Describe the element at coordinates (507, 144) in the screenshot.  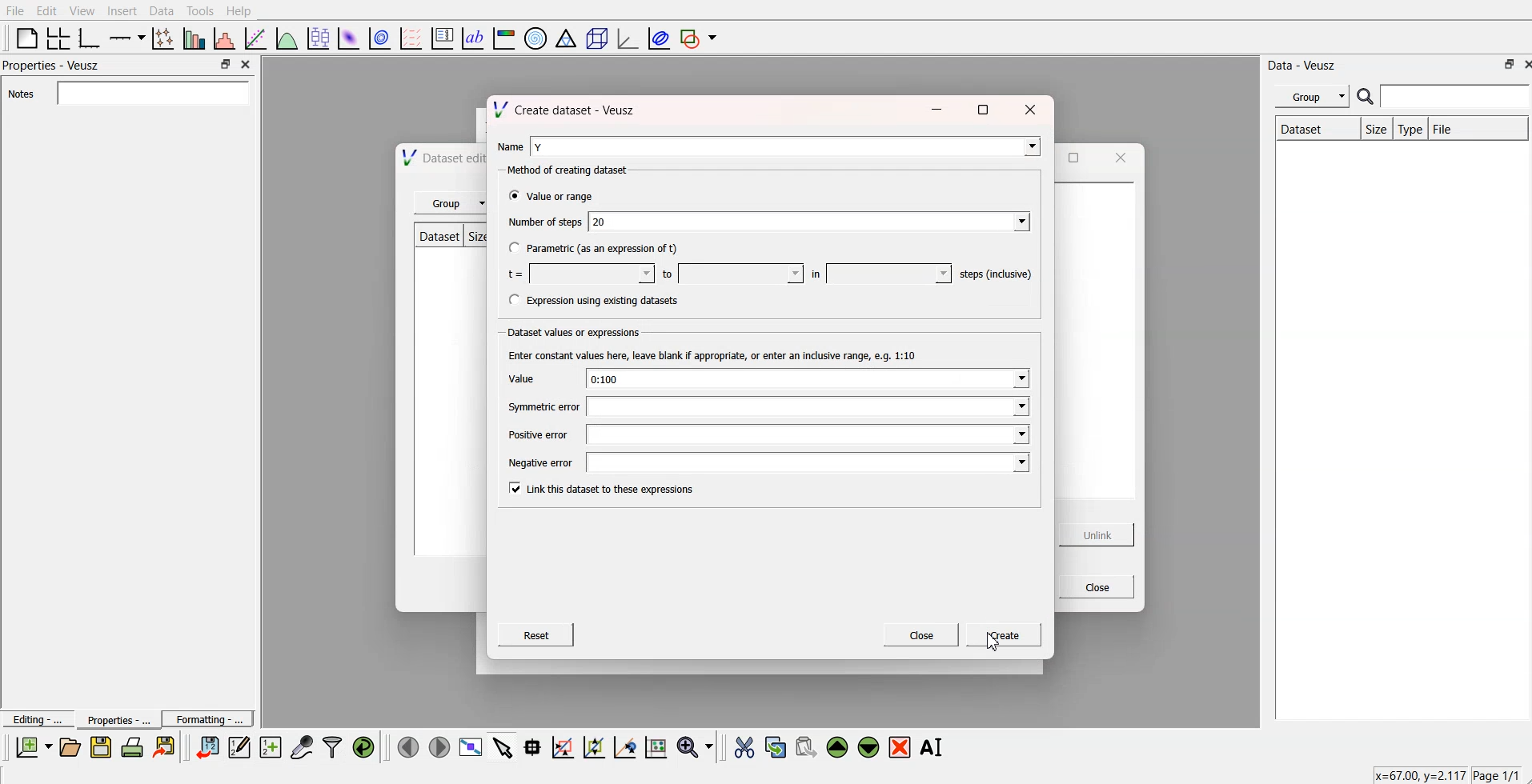
I see `name` at that location.